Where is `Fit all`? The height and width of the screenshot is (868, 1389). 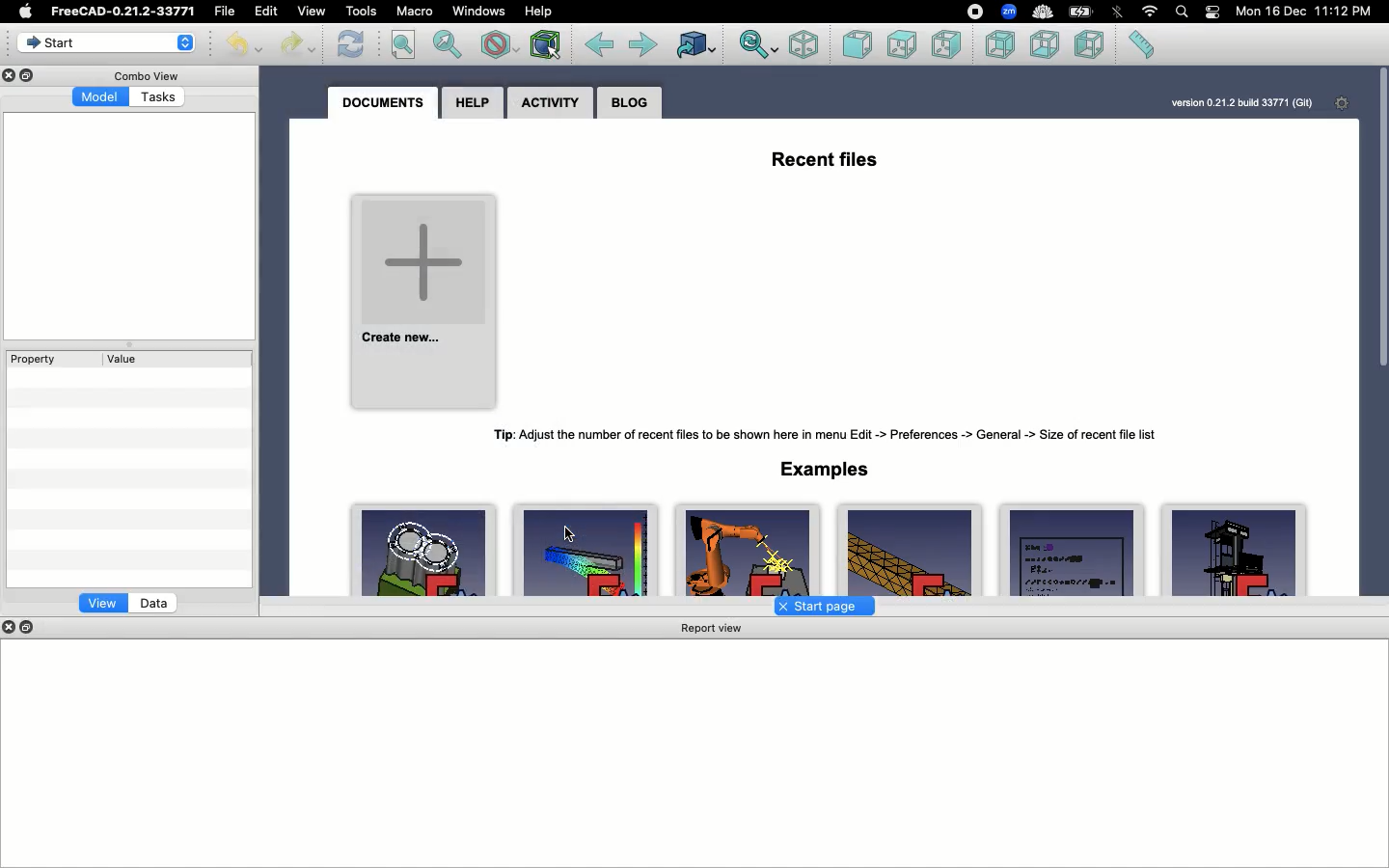
Fit all is located at coordinates (404, 43).